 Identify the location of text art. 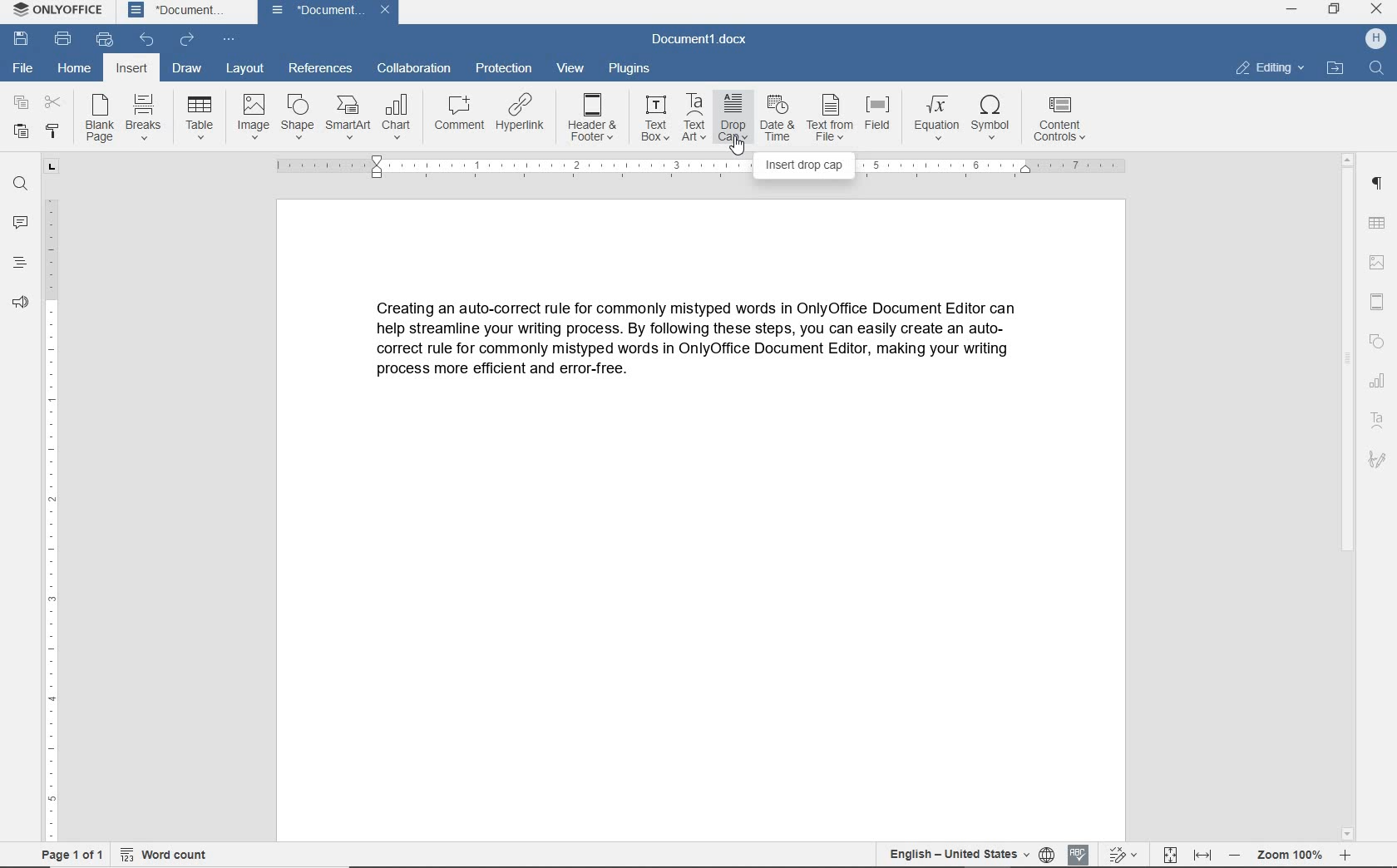
(1380, 420).